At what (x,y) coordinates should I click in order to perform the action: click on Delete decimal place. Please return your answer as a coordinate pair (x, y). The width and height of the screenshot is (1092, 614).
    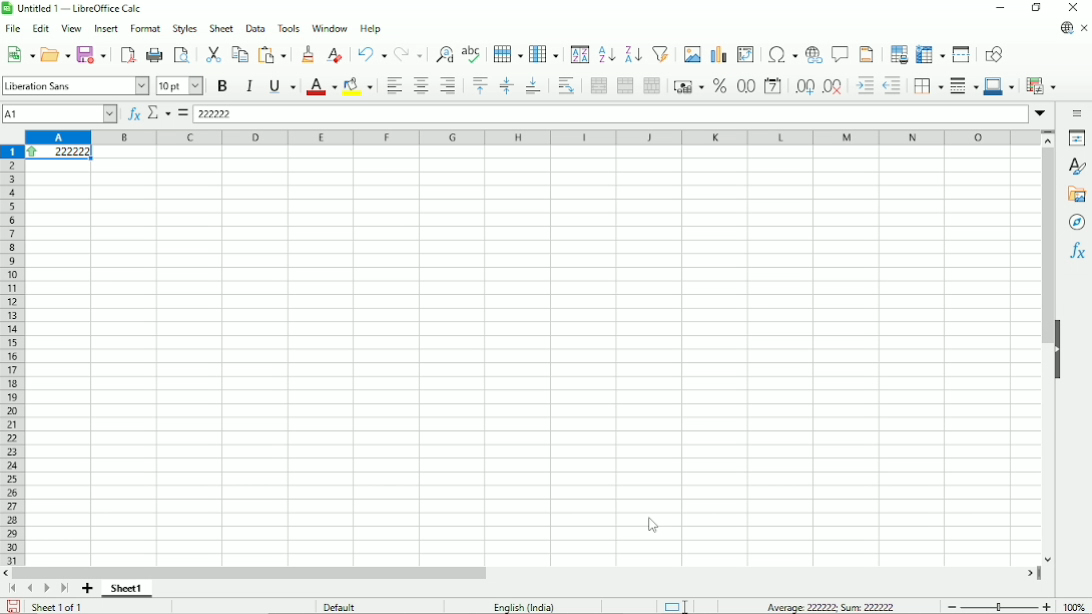
    Looking at the image, I should click on (834, 87).